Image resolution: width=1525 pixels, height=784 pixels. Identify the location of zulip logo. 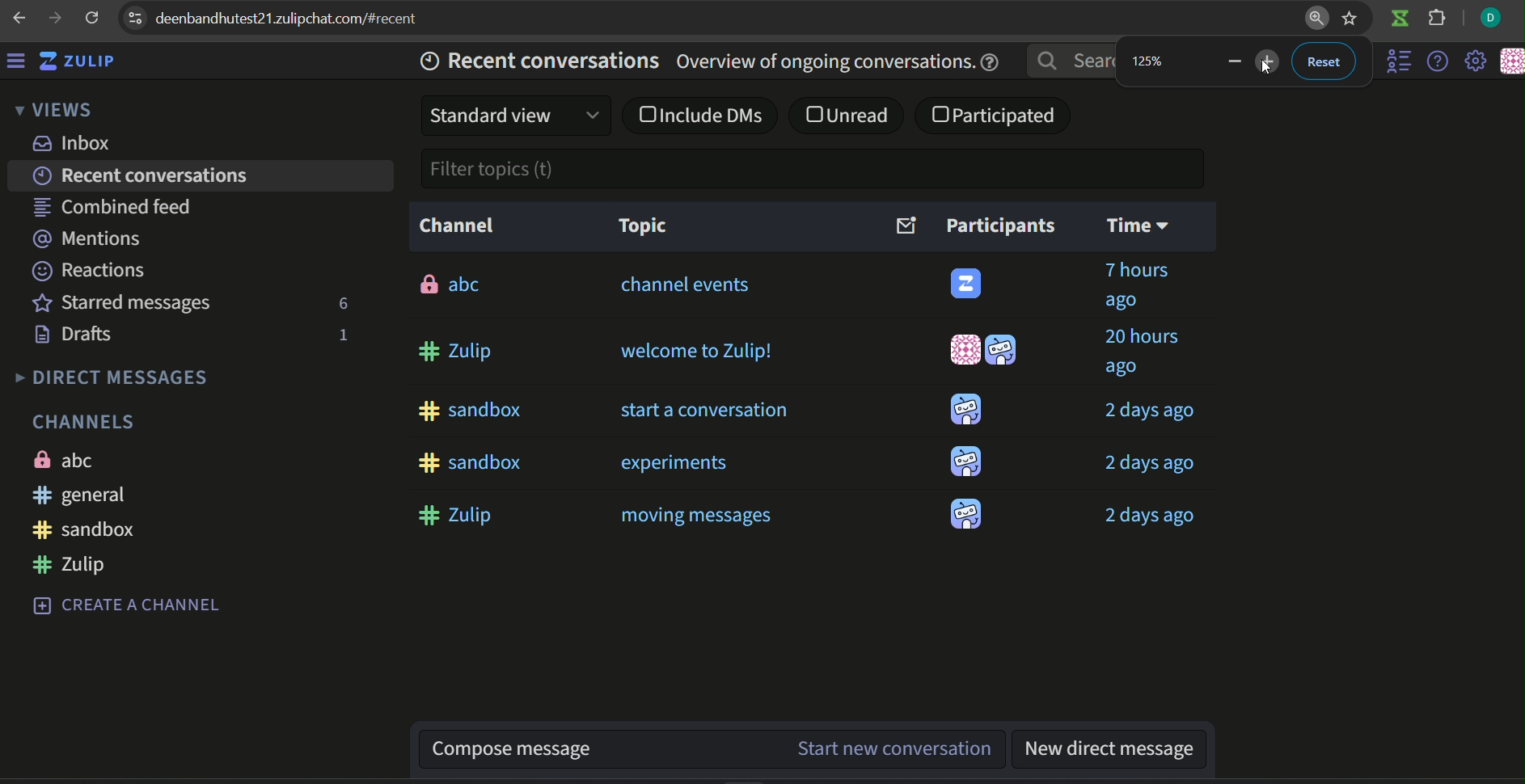
(86, 63).